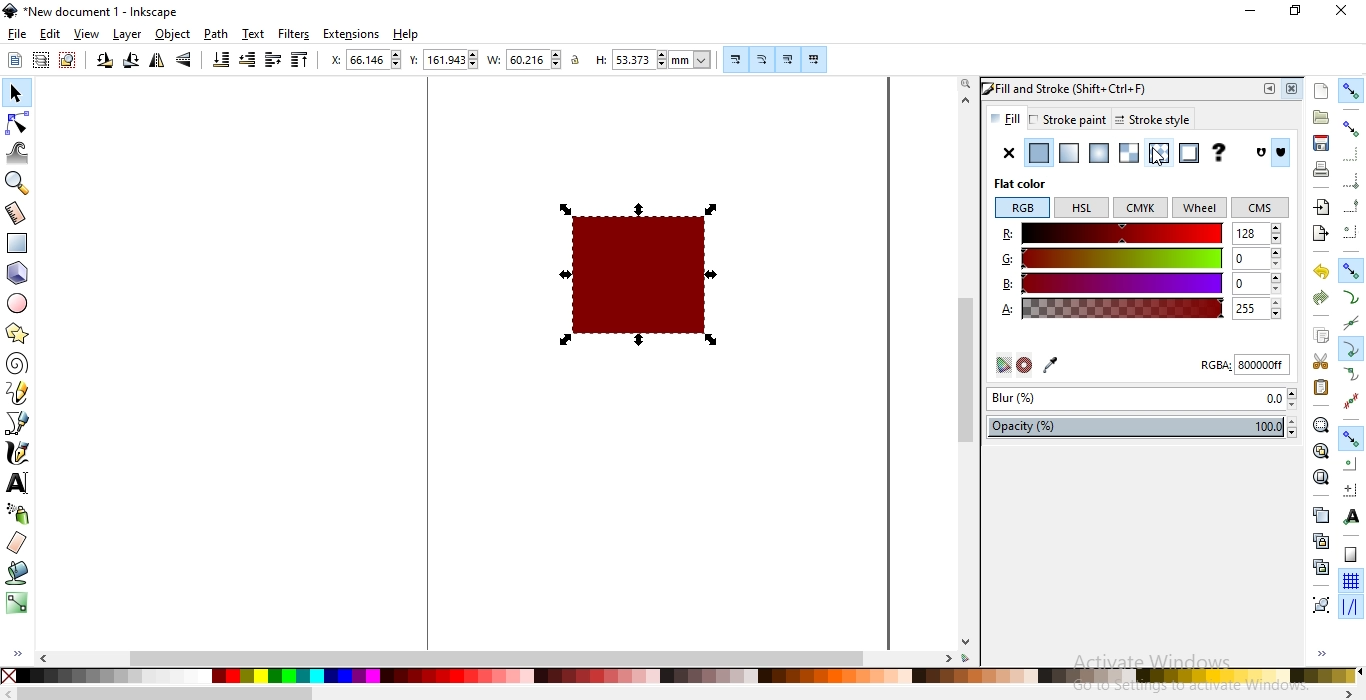  I want to click on erase existing paths, so click(17, 544).